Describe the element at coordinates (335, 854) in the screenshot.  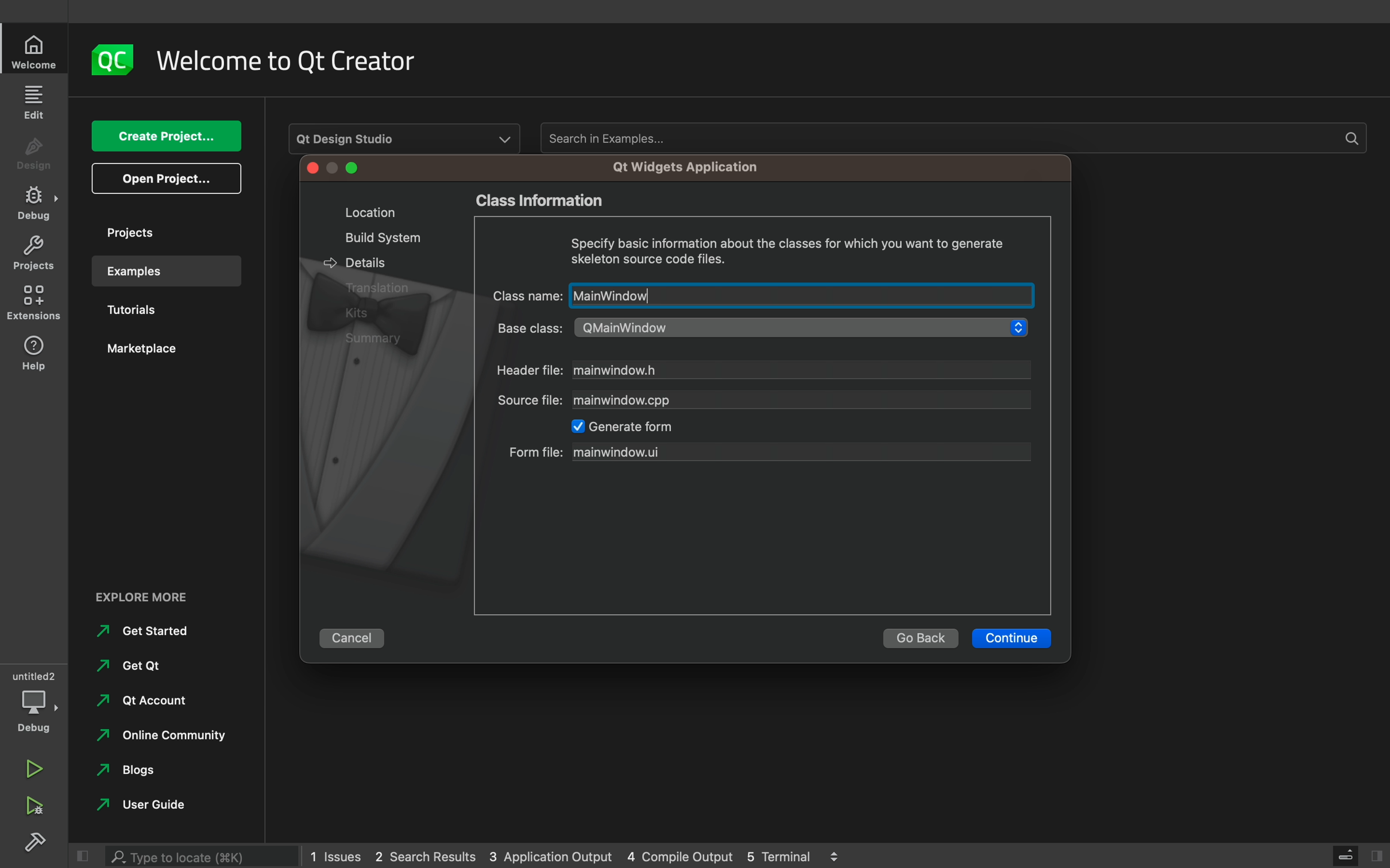
I see `1 issues` at that location.